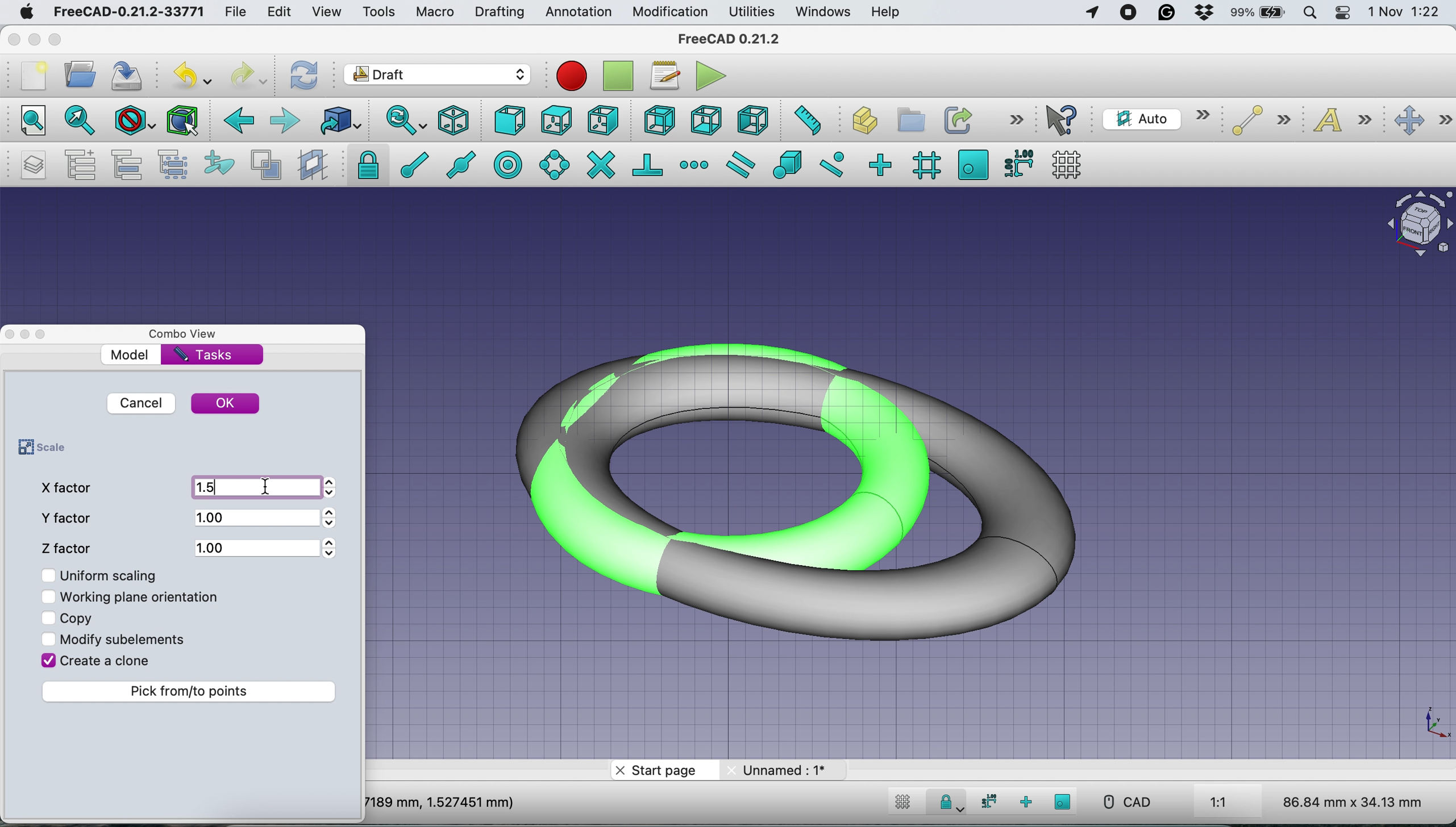  Describe the element at coordinates (238, 124) in the screenshot. I see `backward` at that location.